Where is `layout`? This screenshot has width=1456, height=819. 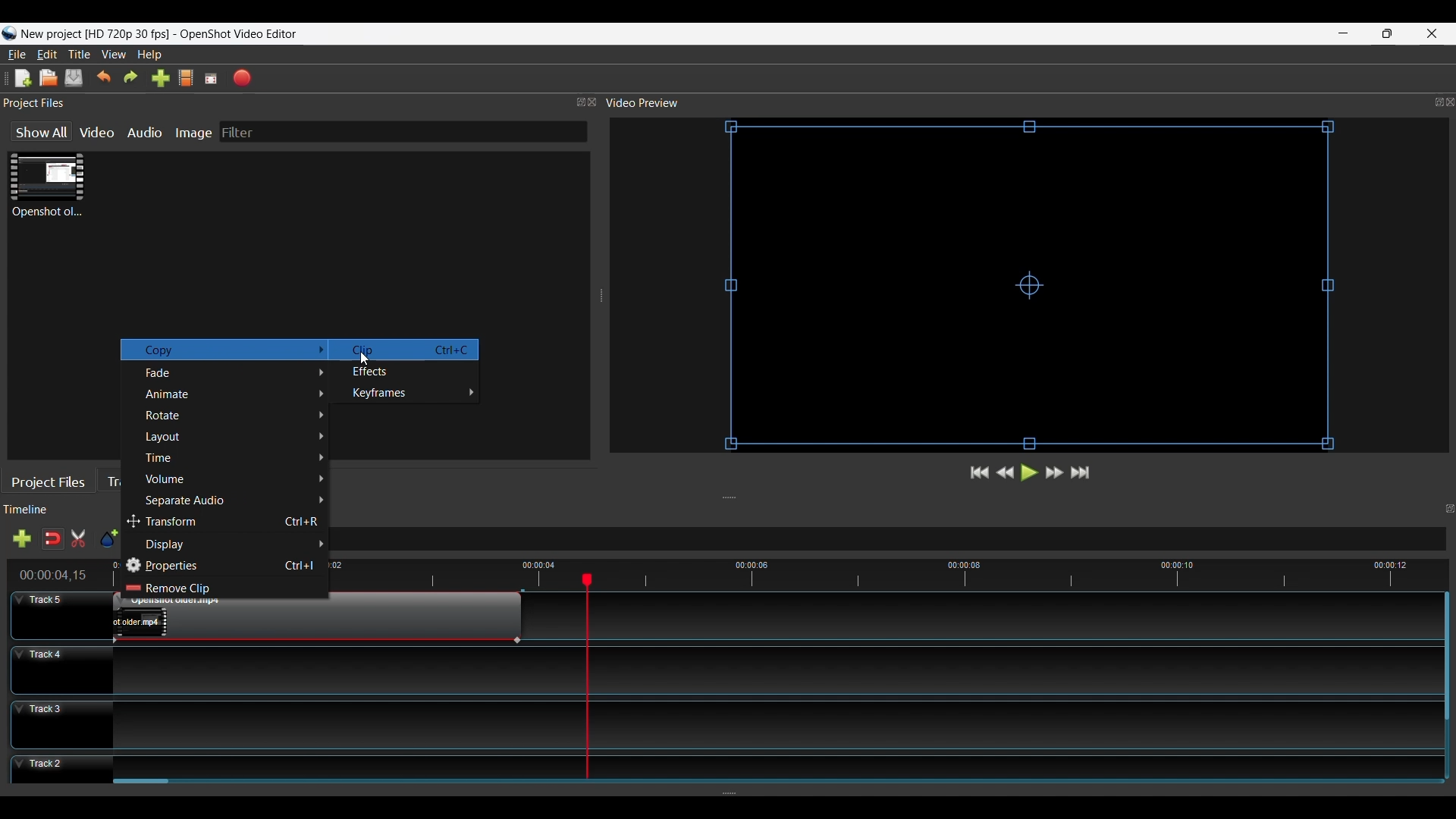
layout is located at coordinates (235, 436).